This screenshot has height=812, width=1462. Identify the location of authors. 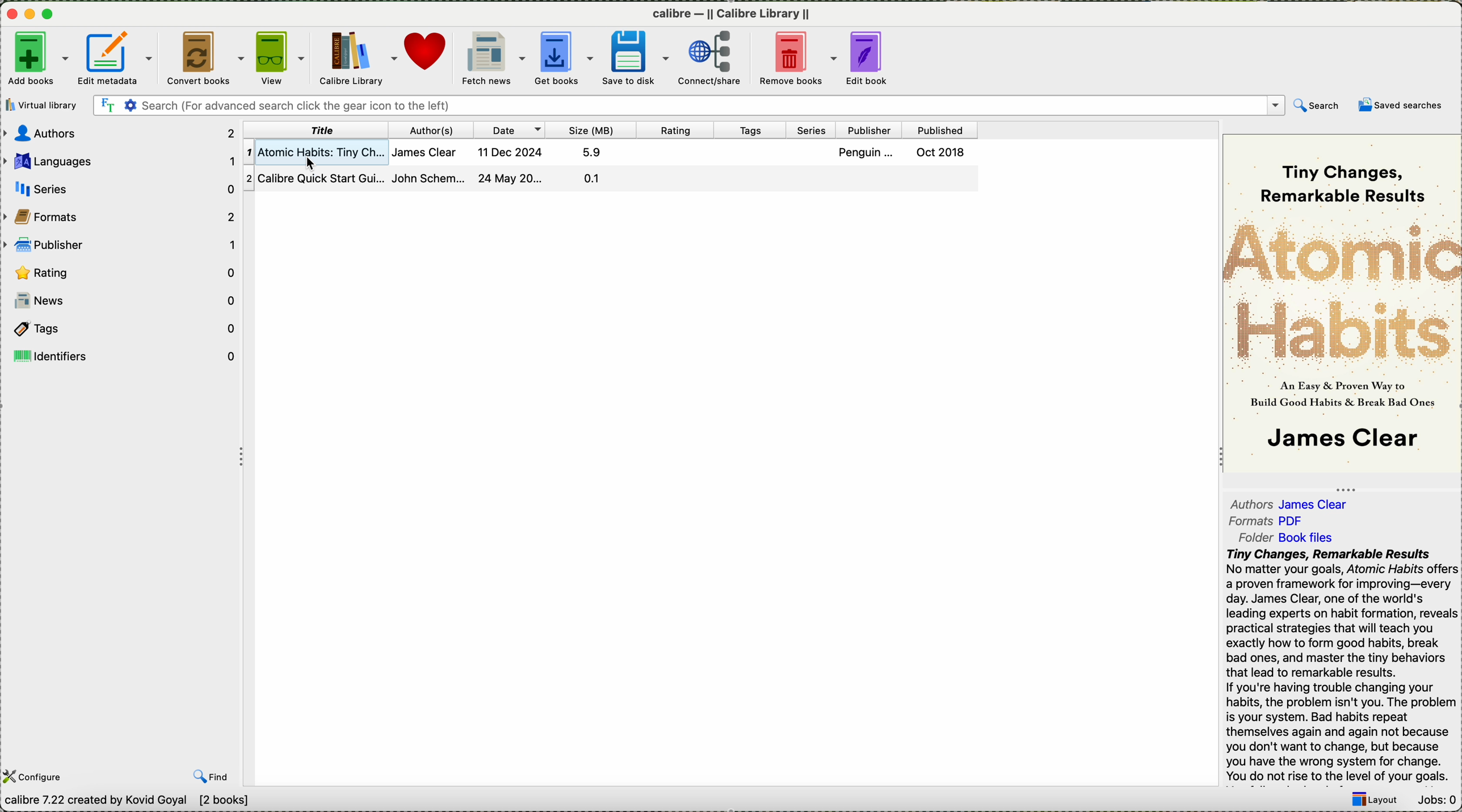
(434, 129).